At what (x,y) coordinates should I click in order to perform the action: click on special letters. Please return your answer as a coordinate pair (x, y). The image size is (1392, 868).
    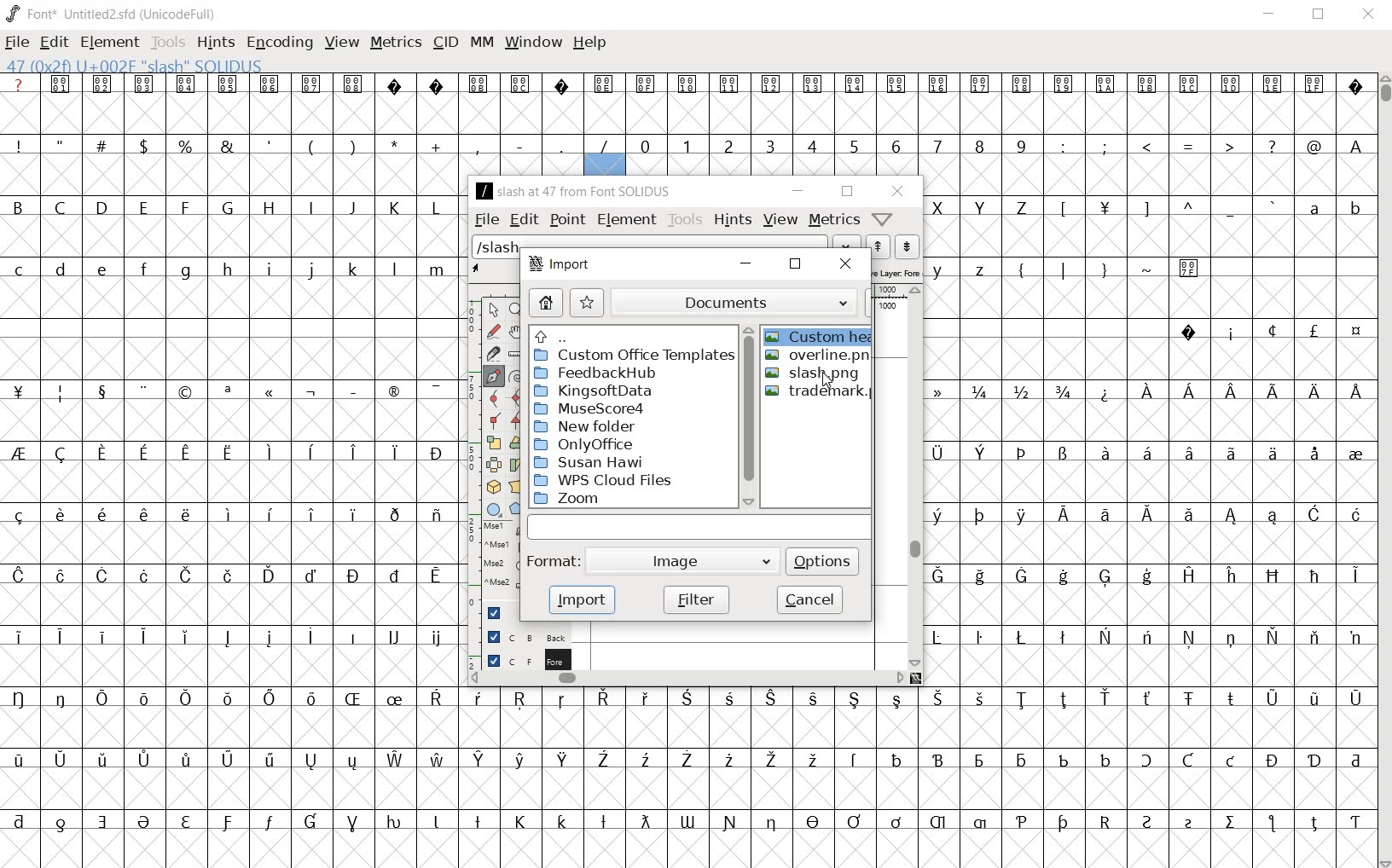
    Looking at the image, I should click on (235, 454).